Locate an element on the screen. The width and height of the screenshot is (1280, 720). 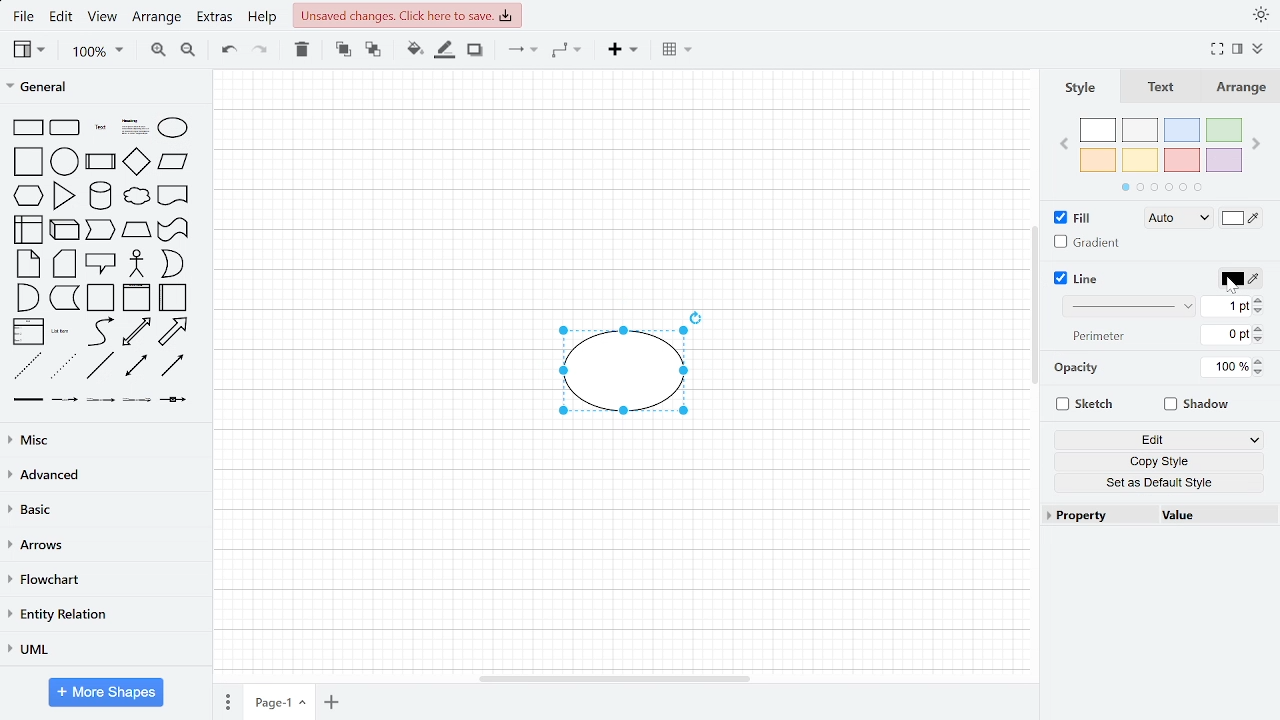
cube is located at coordinates (65, 228).